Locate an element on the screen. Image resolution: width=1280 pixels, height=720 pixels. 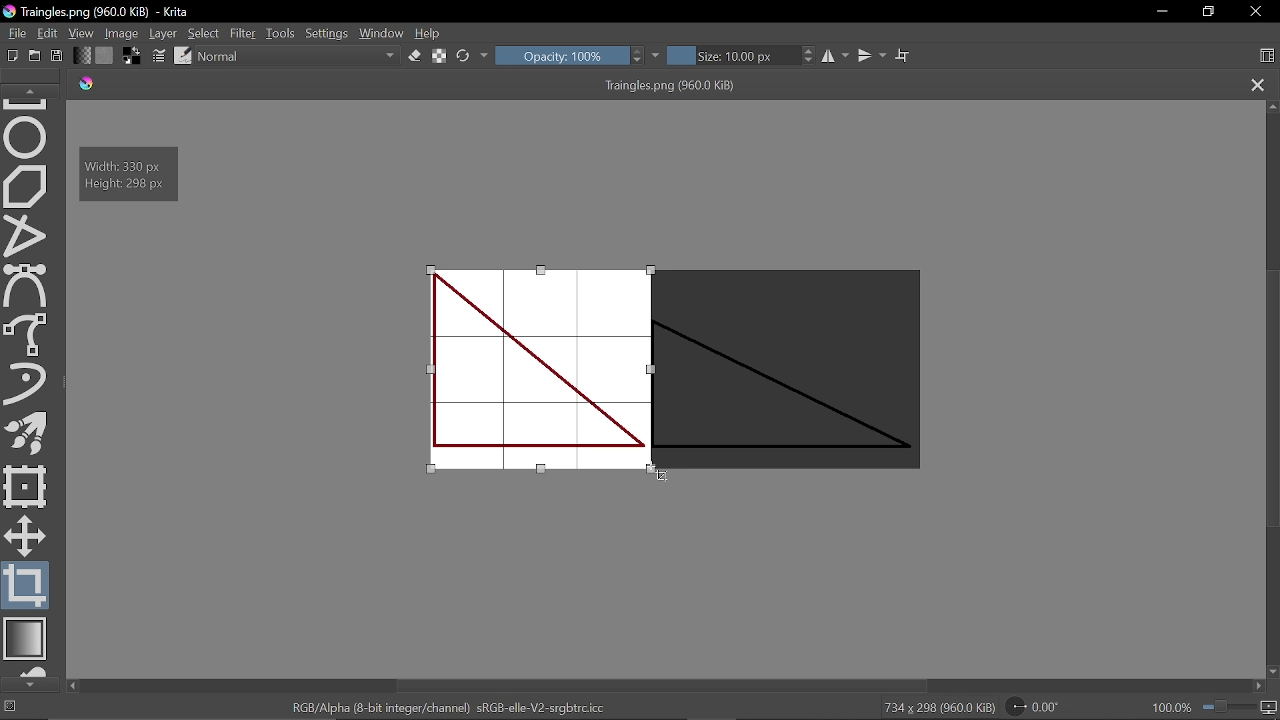
Move down is located at coordinates (1272, 672).